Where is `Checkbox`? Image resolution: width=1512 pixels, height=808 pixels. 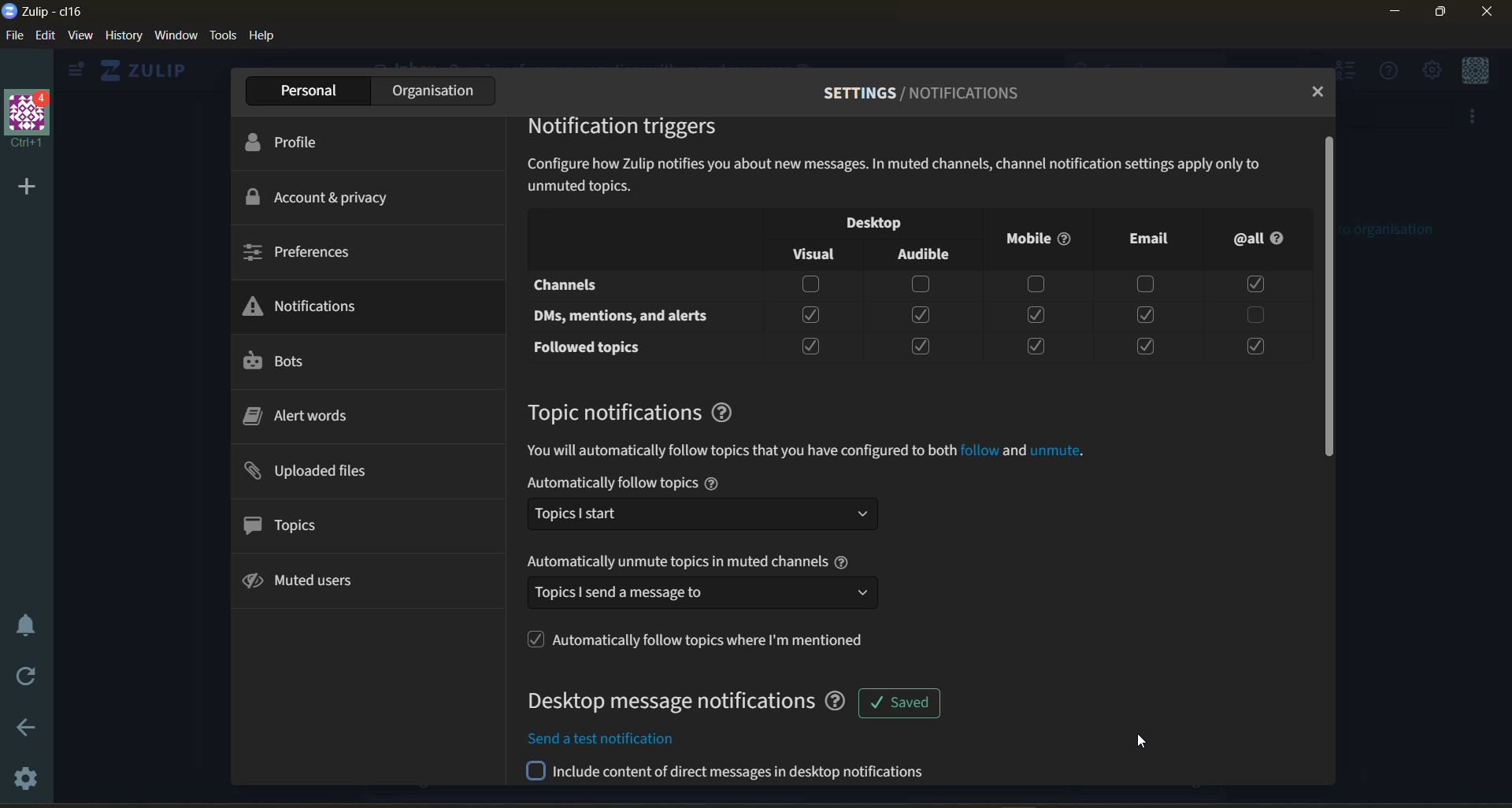 Checkbox is located at coordinates (1146, 314).